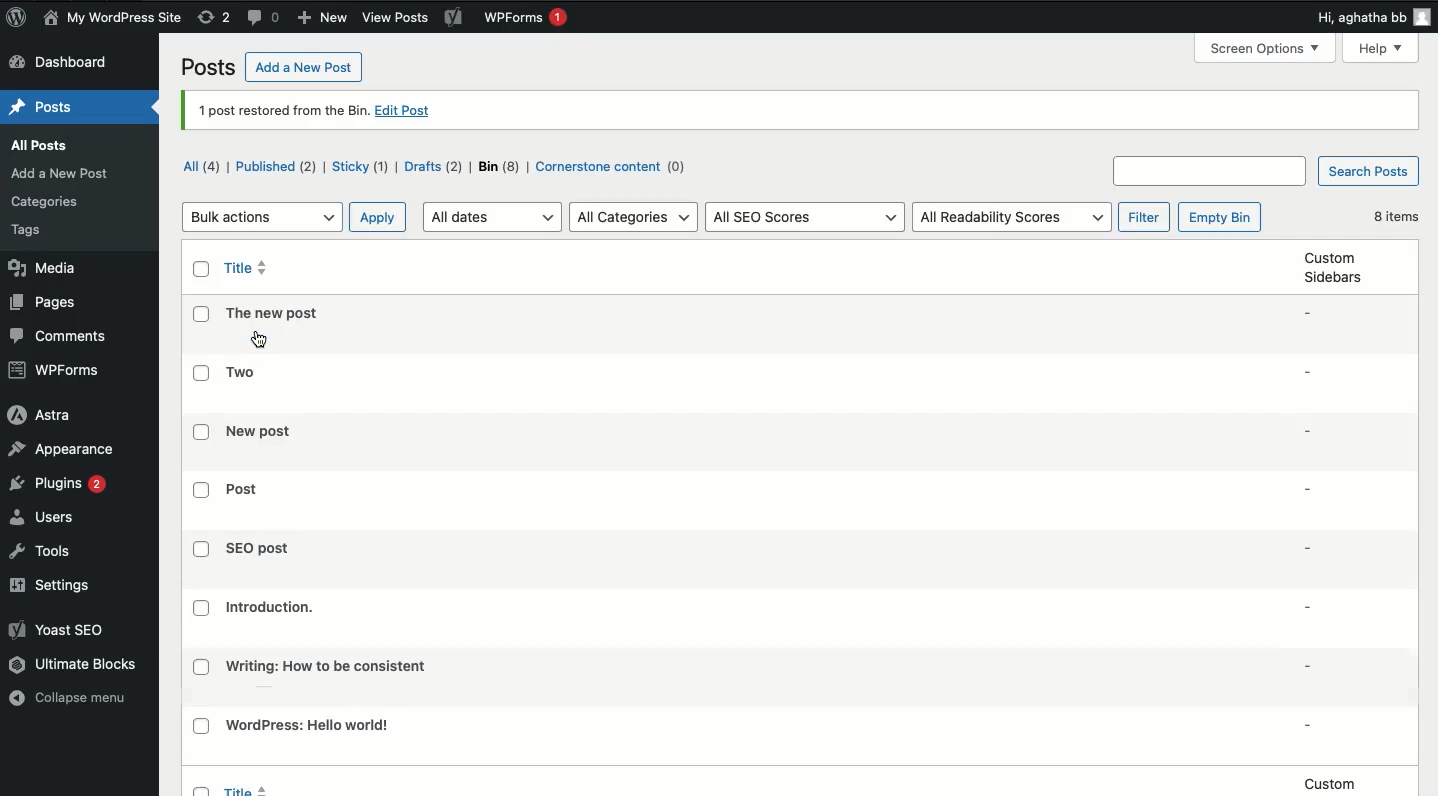 Image resolution: width=1438 pixels, height=796 pixels. I want to click on Help, so click(1380, 50).